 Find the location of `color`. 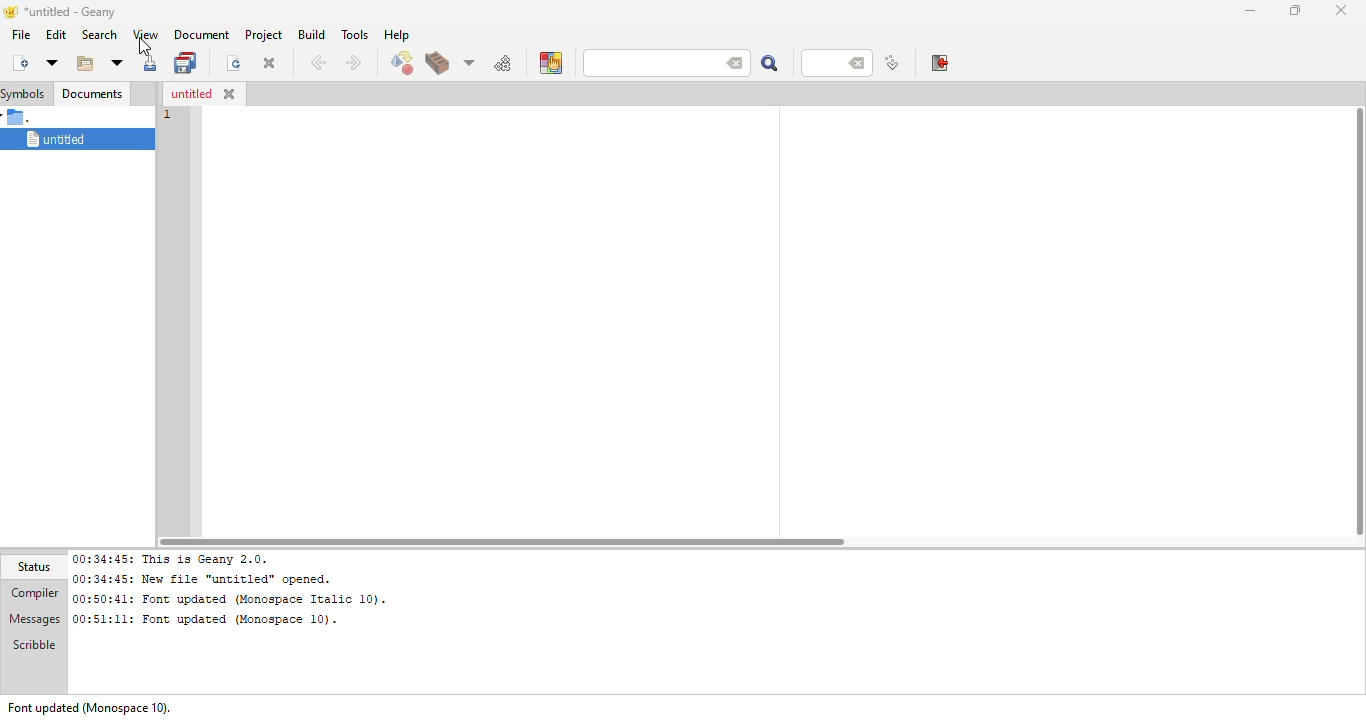

color is located at coordinates (550, 63).